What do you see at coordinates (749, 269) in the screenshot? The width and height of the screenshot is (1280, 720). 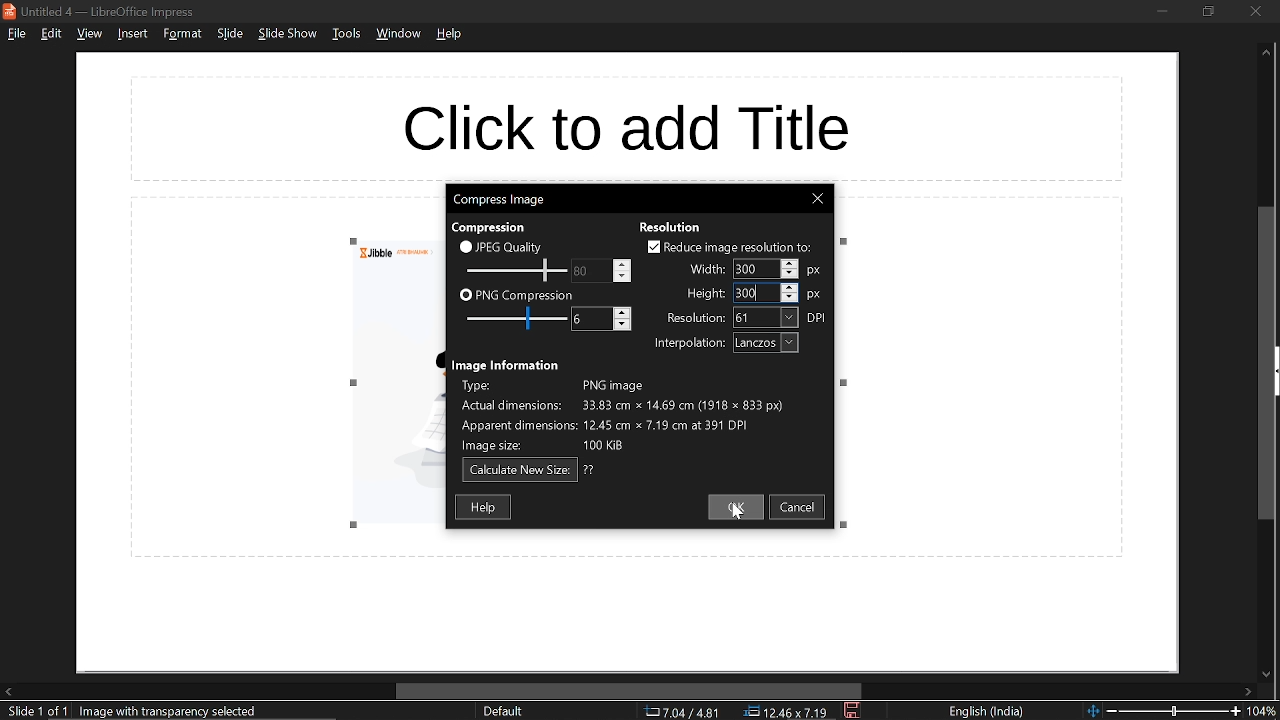 I see `Selected` at bounding box center [749, 269].